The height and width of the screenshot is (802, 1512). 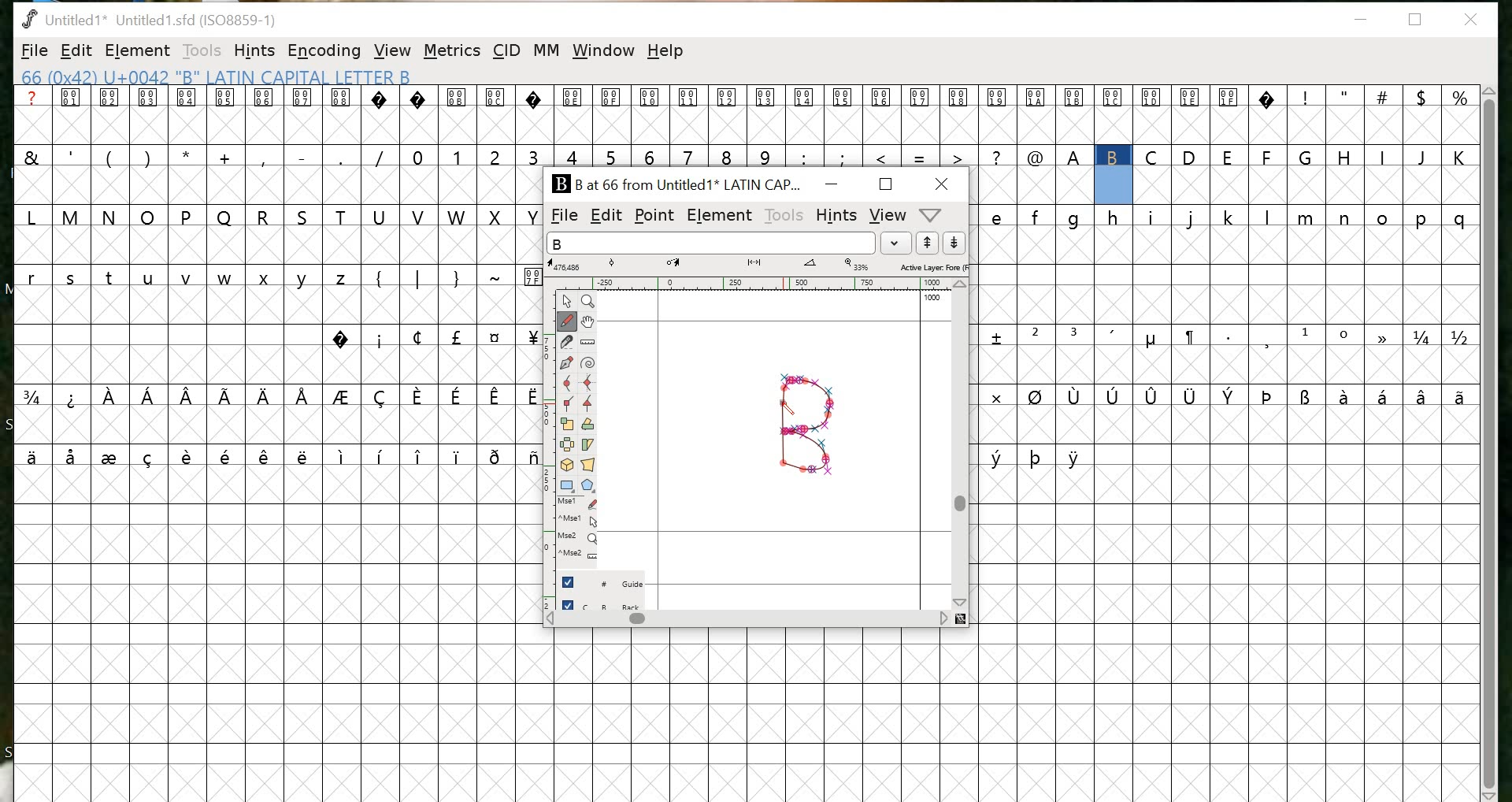 I want to click on Corner, so click(x=569, y=406).